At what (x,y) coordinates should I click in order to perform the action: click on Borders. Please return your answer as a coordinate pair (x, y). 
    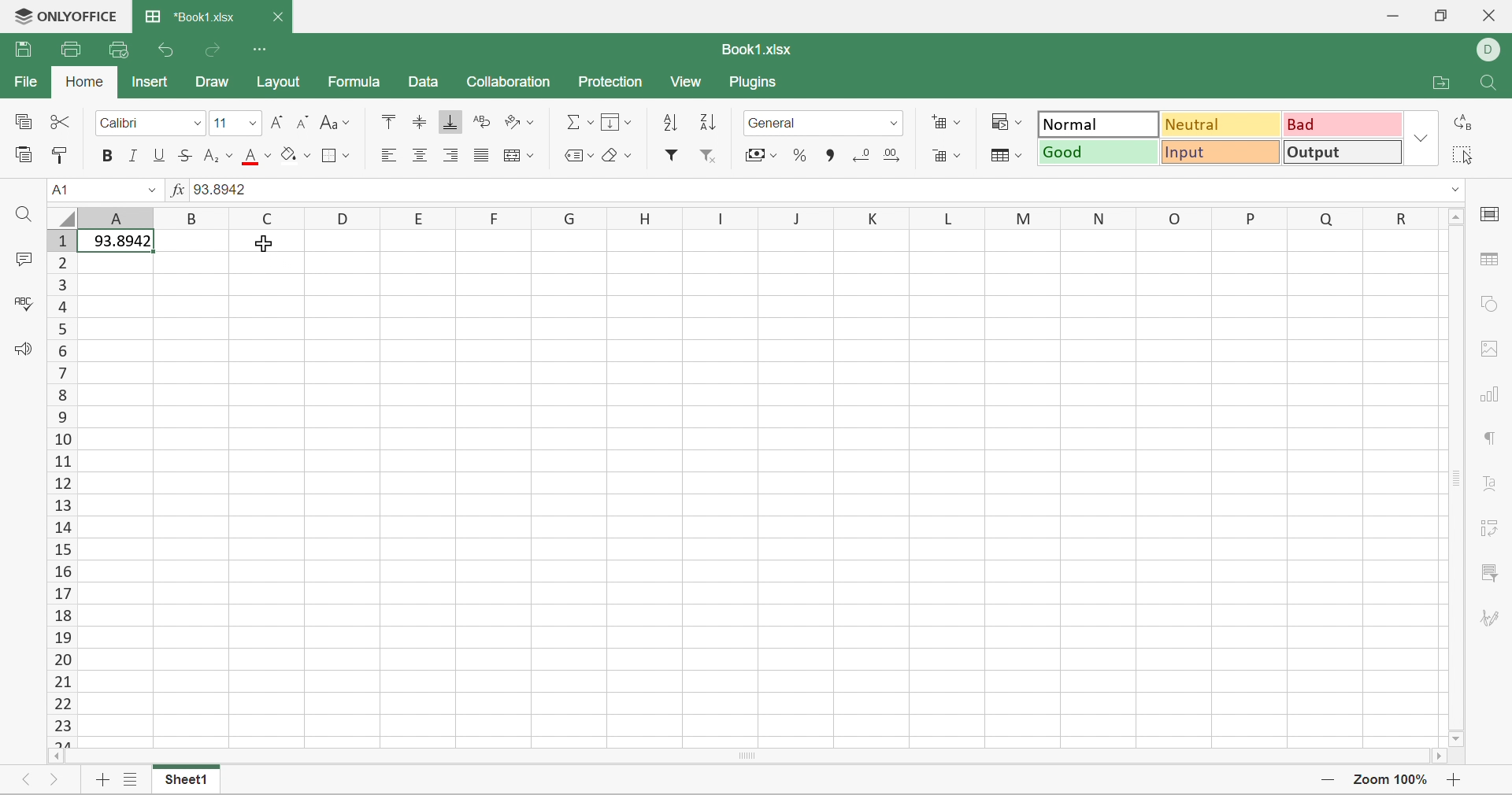
    Looking at the image, I should click on (335, 153).